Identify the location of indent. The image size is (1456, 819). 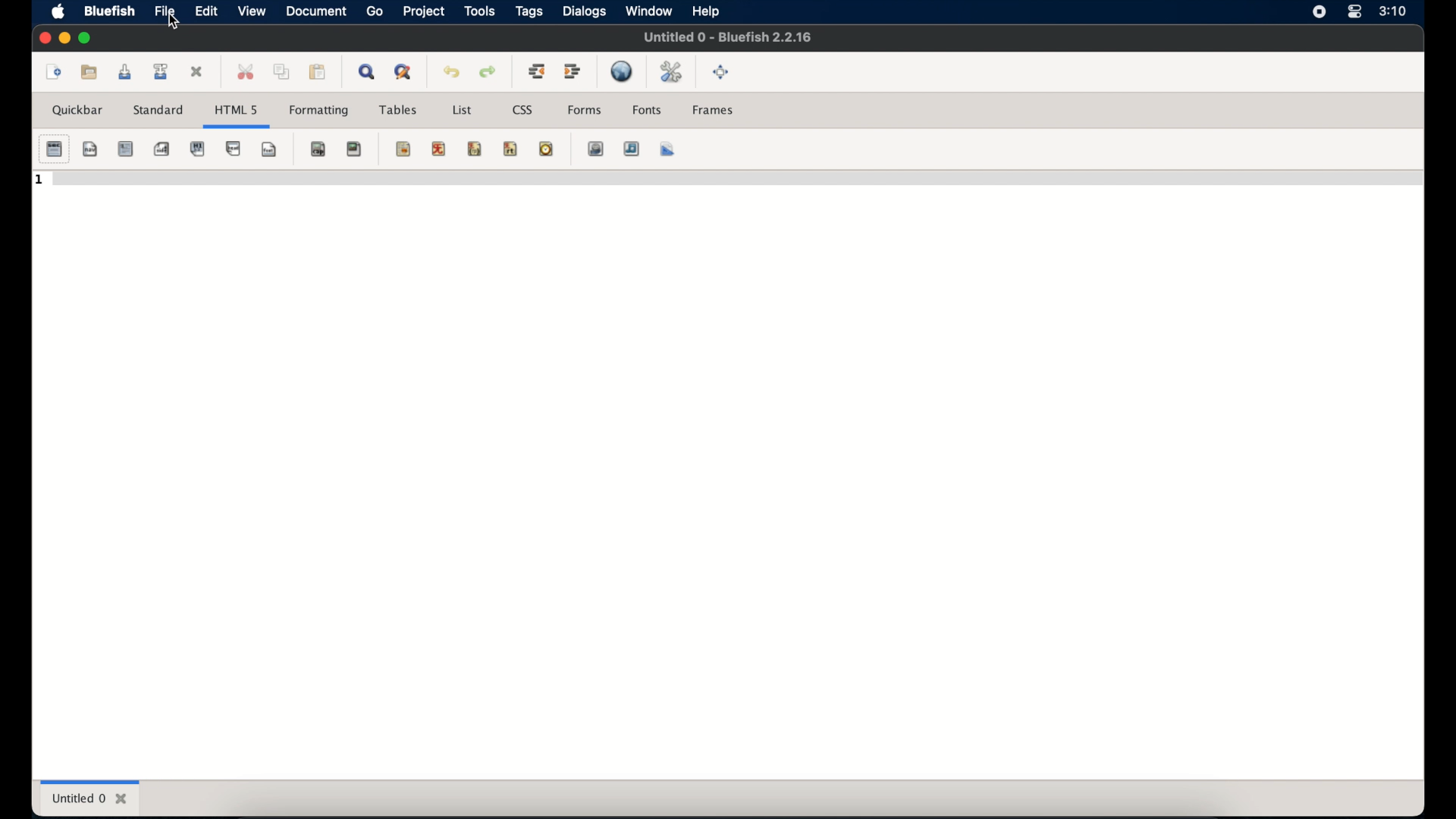
(573, 71).